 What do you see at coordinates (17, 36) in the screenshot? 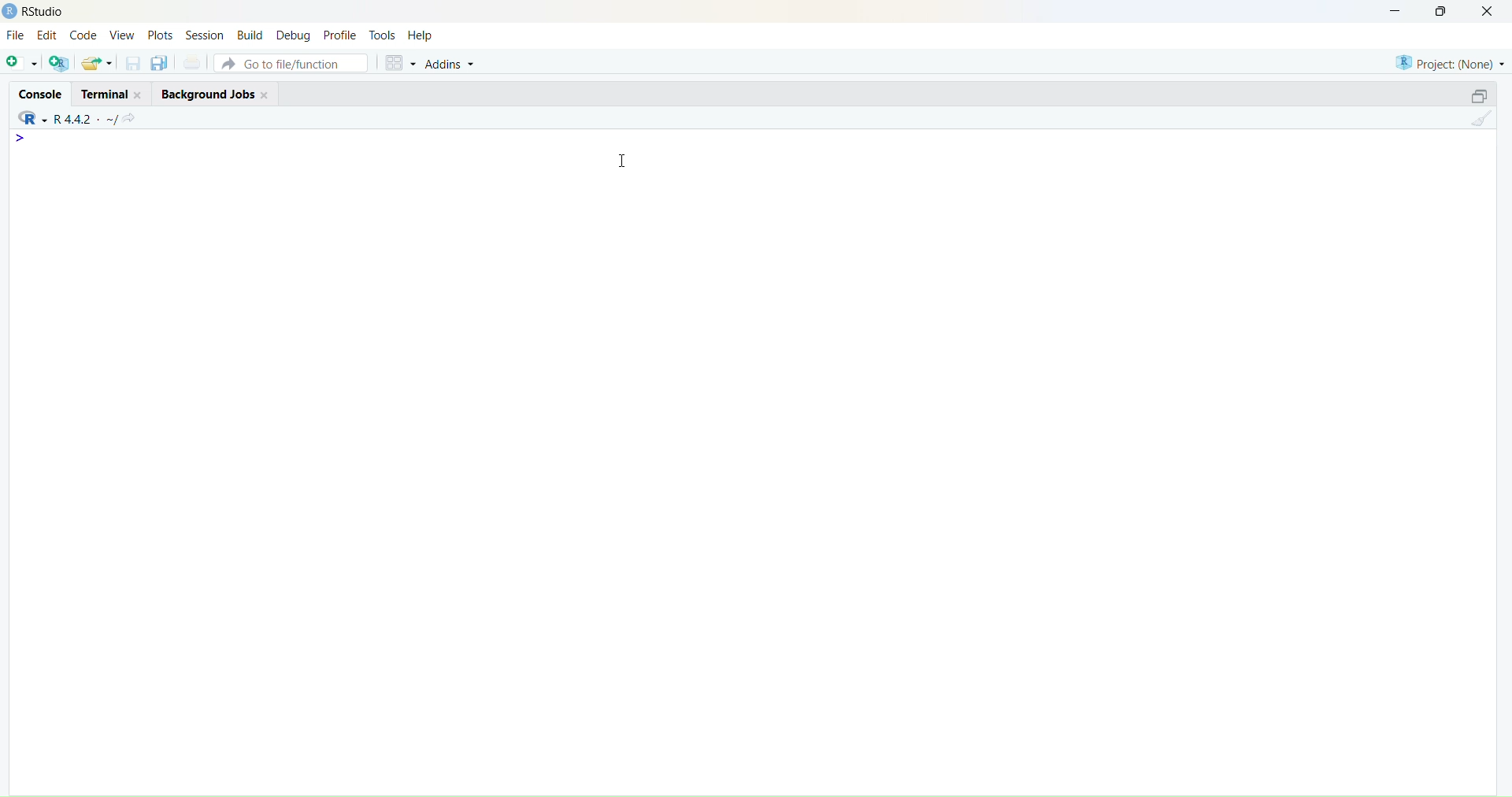
I see `File` at bounding box center [17, 36].